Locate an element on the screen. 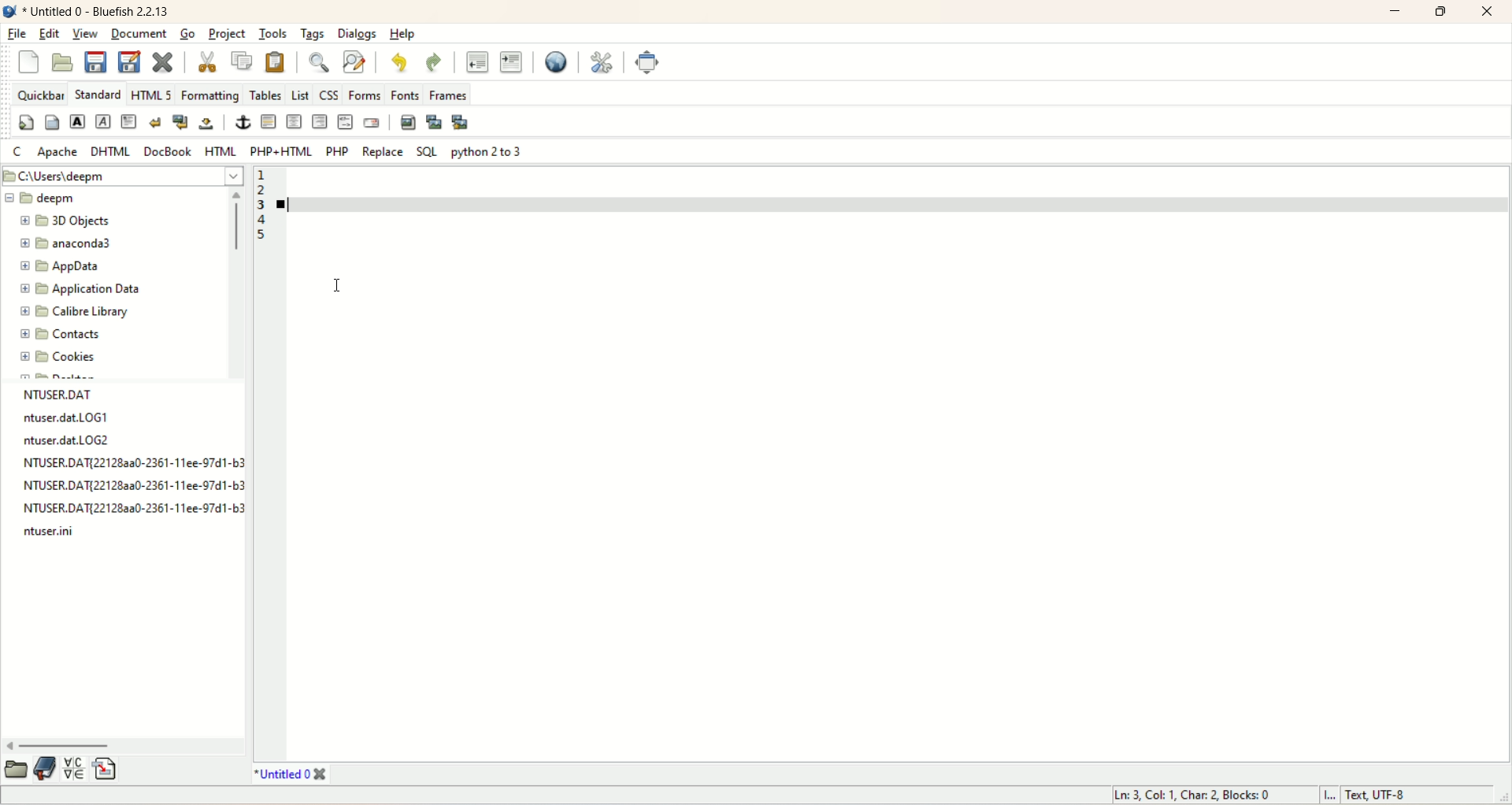 The image size is (1512, 805). REPLACE is located at coordinates (381, 150).